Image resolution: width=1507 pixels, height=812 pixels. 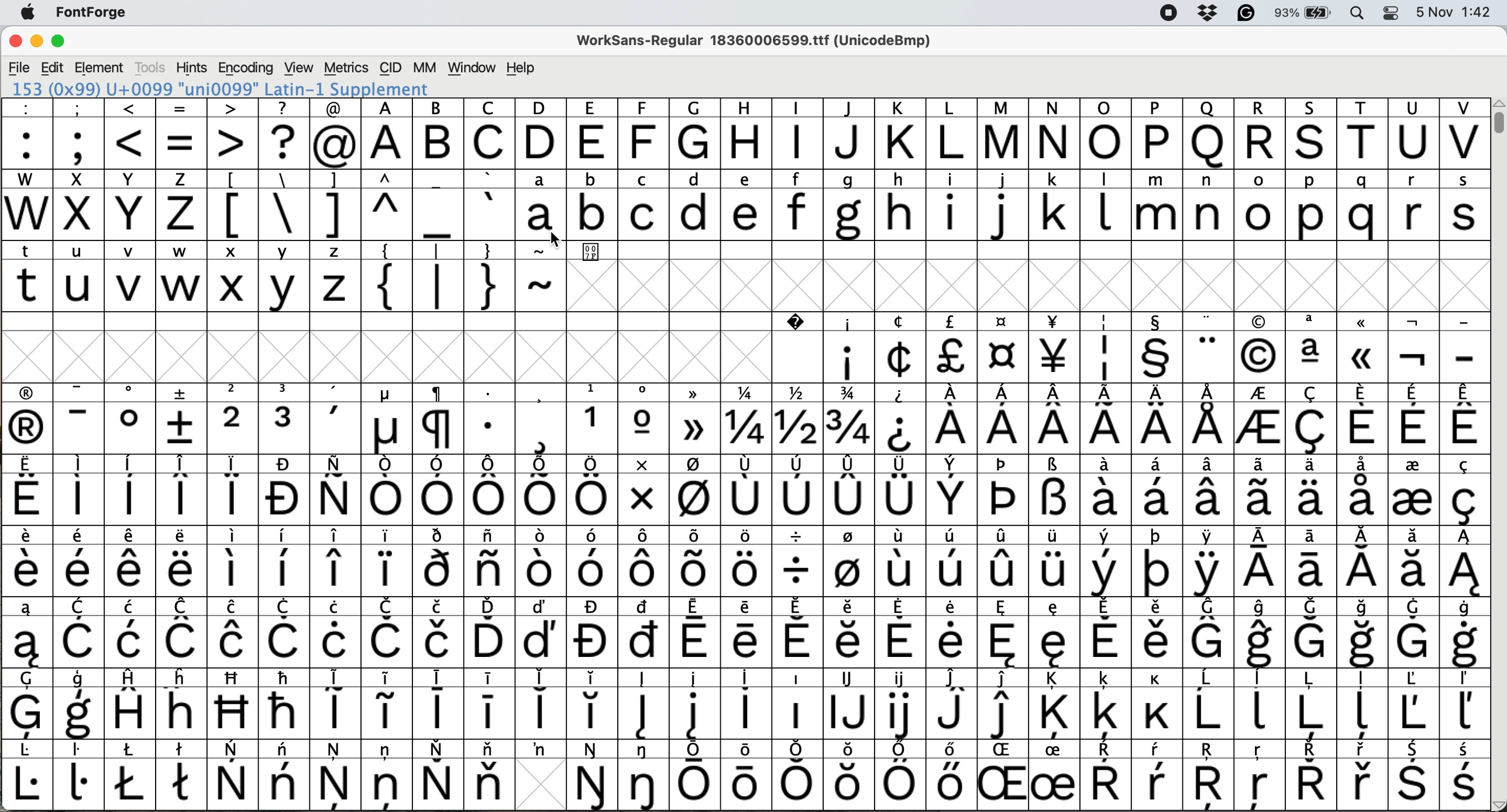 I want to click on symbol, so click(x=233, y=560).